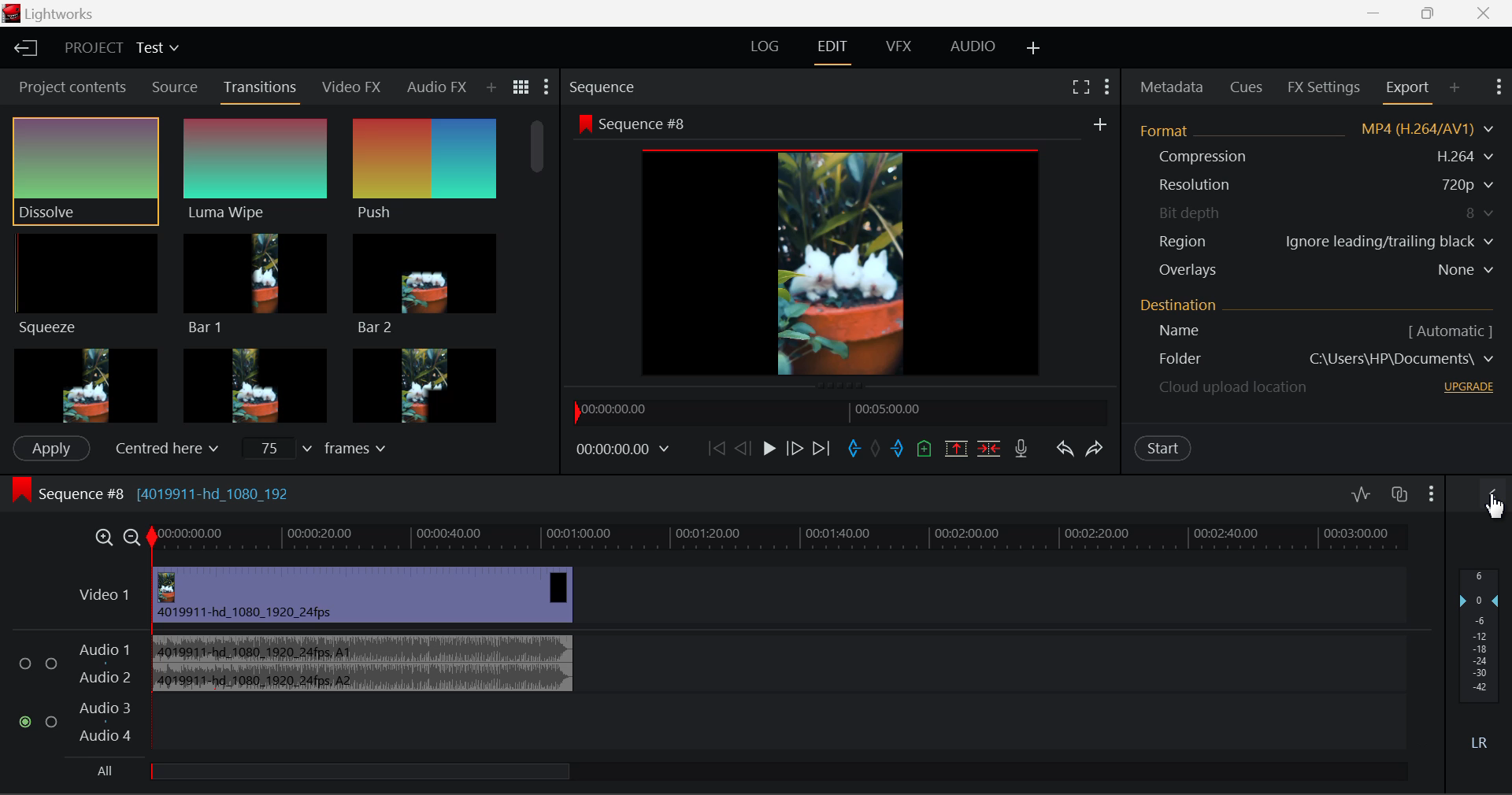 This screenshot has width=1512, height=795. Describe the element at coordinates (83, 283) in the screenshot. I see `Squeeze` at that location.